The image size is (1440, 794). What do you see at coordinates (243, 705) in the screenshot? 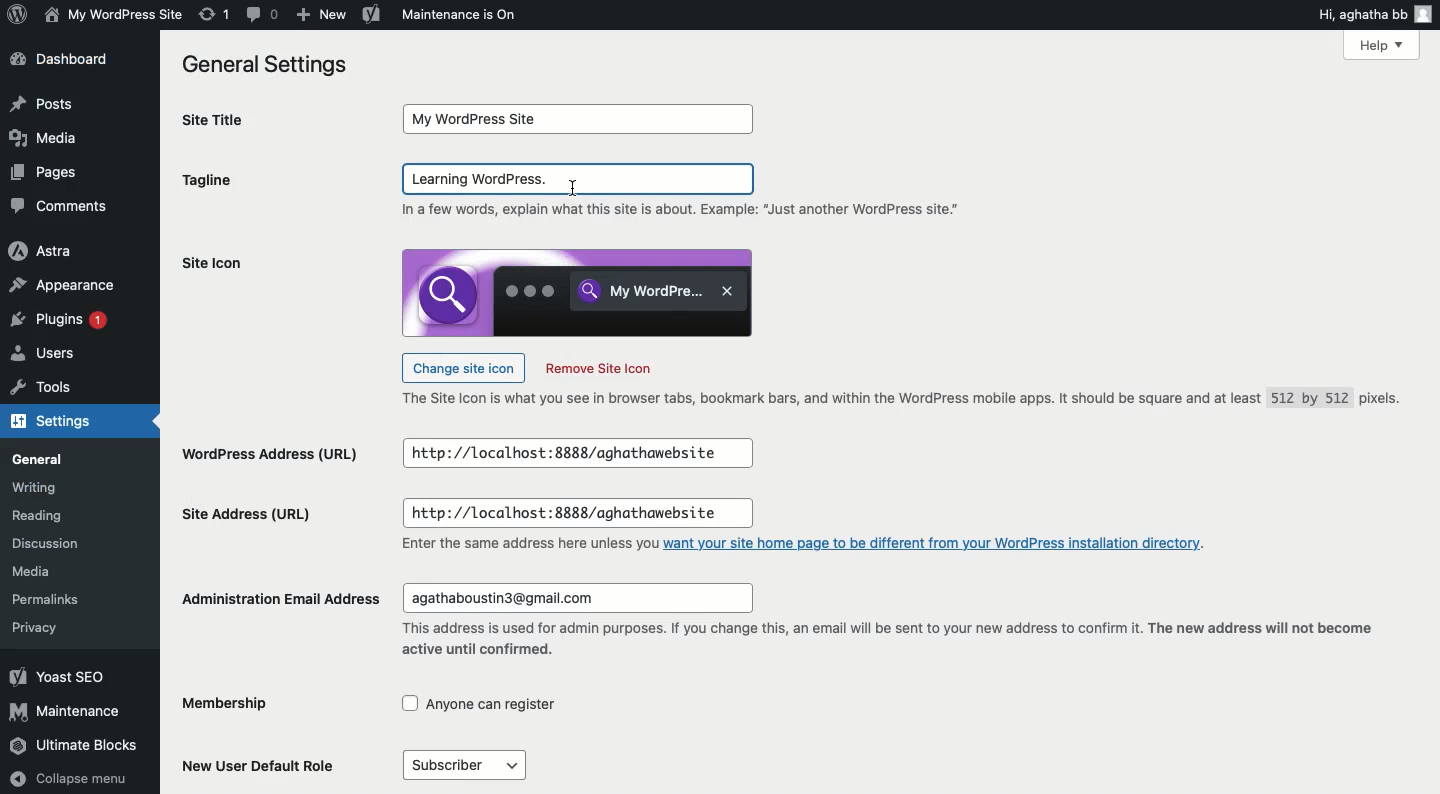
I see `Membership` at bounding box center [243, 705].